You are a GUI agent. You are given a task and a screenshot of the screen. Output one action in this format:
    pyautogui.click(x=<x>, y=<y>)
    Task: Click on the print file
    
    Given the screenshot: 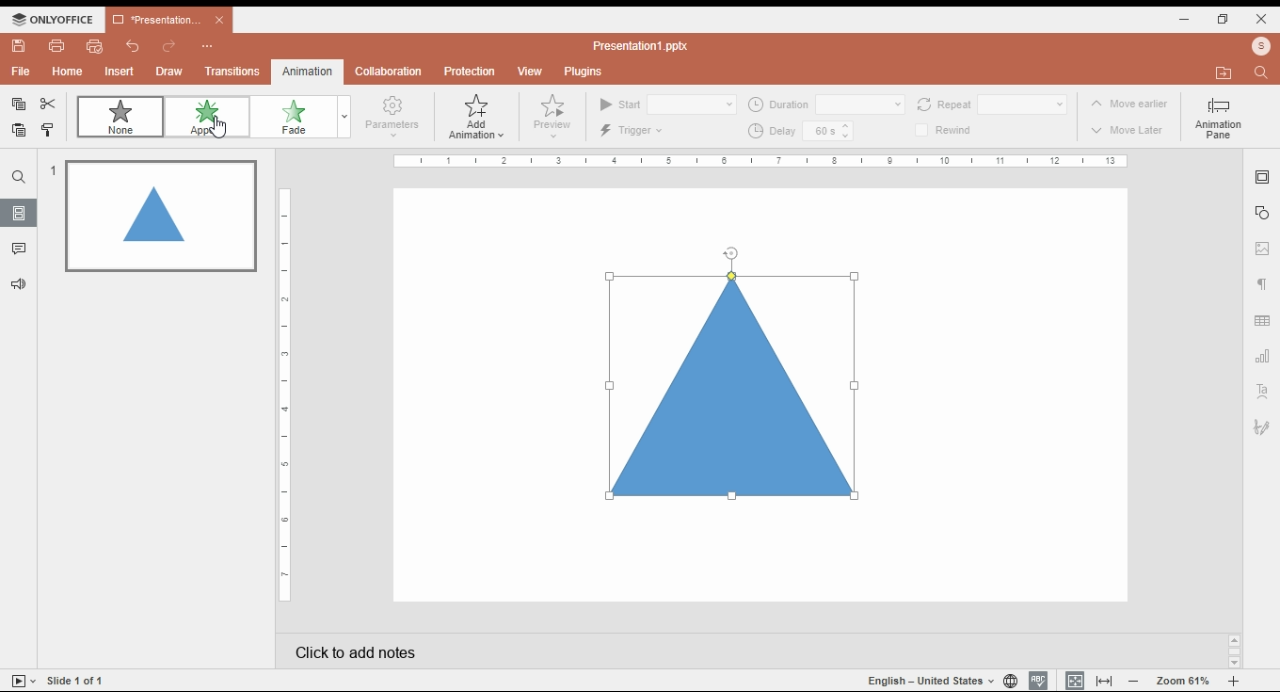 What is the action you would take?
    pyautogui.click(x=60, y=47)
    